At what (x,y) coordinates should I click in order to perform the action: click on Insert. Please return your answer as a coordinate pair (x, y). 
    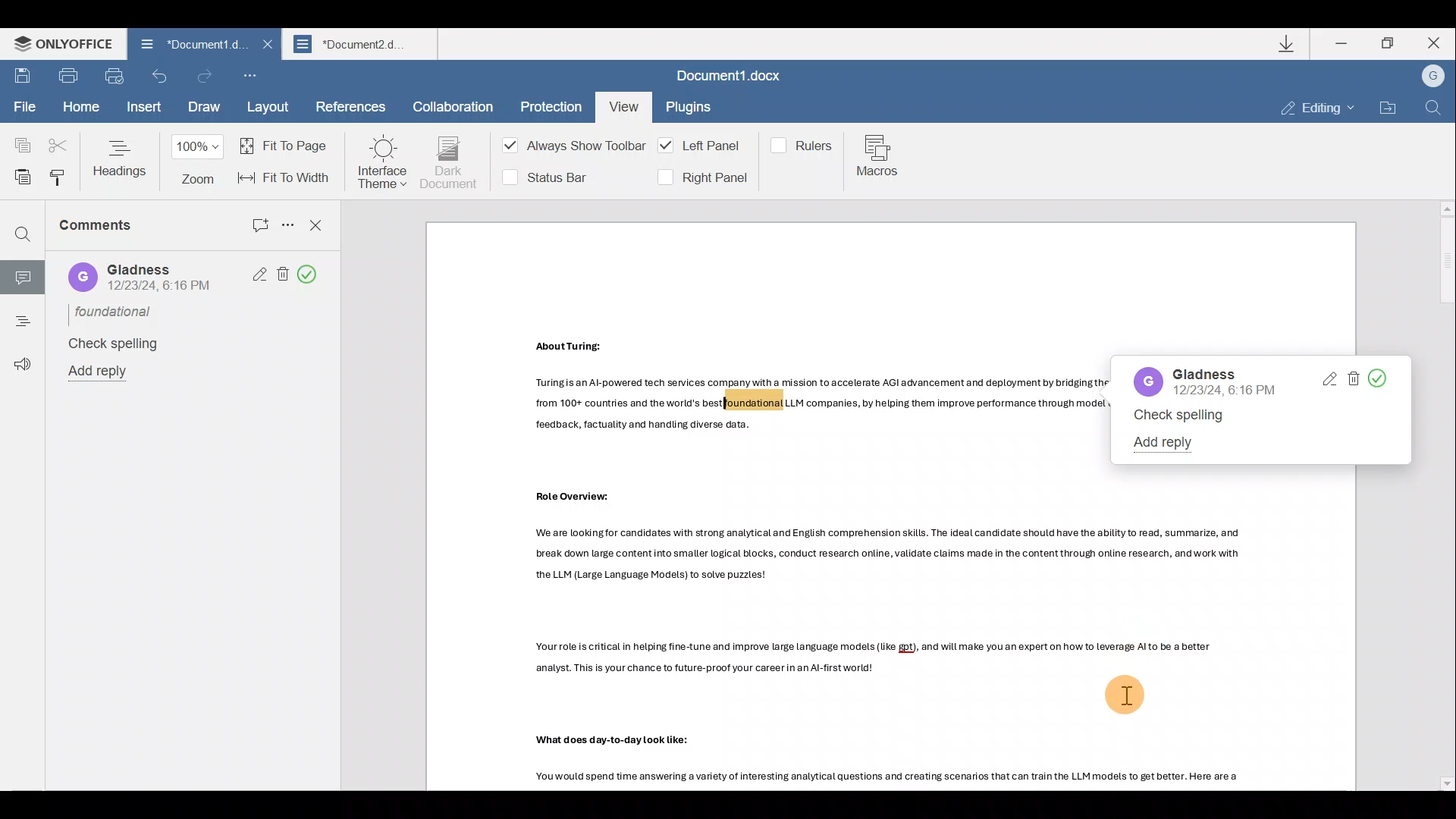
    Looking at the image, I should click on (142, 109).